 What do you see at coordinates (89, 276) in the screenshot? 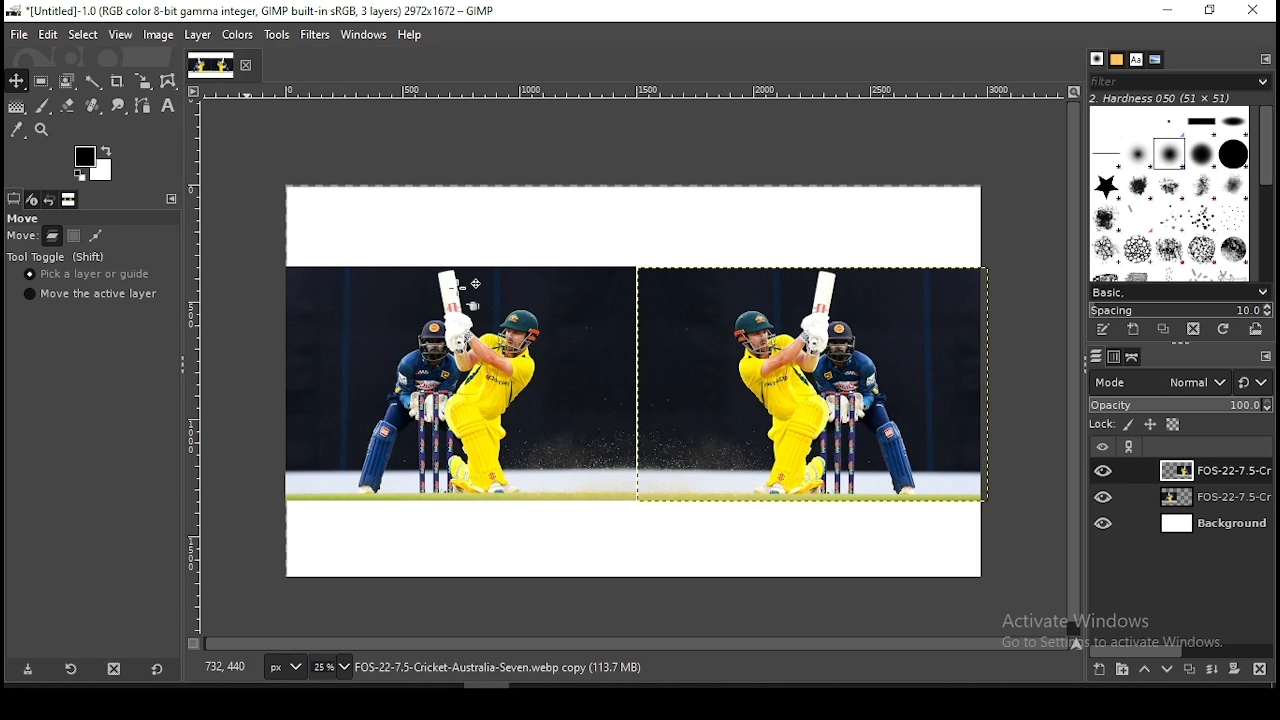
I see `pick a layer or guide` at bounding box center [89, 276].